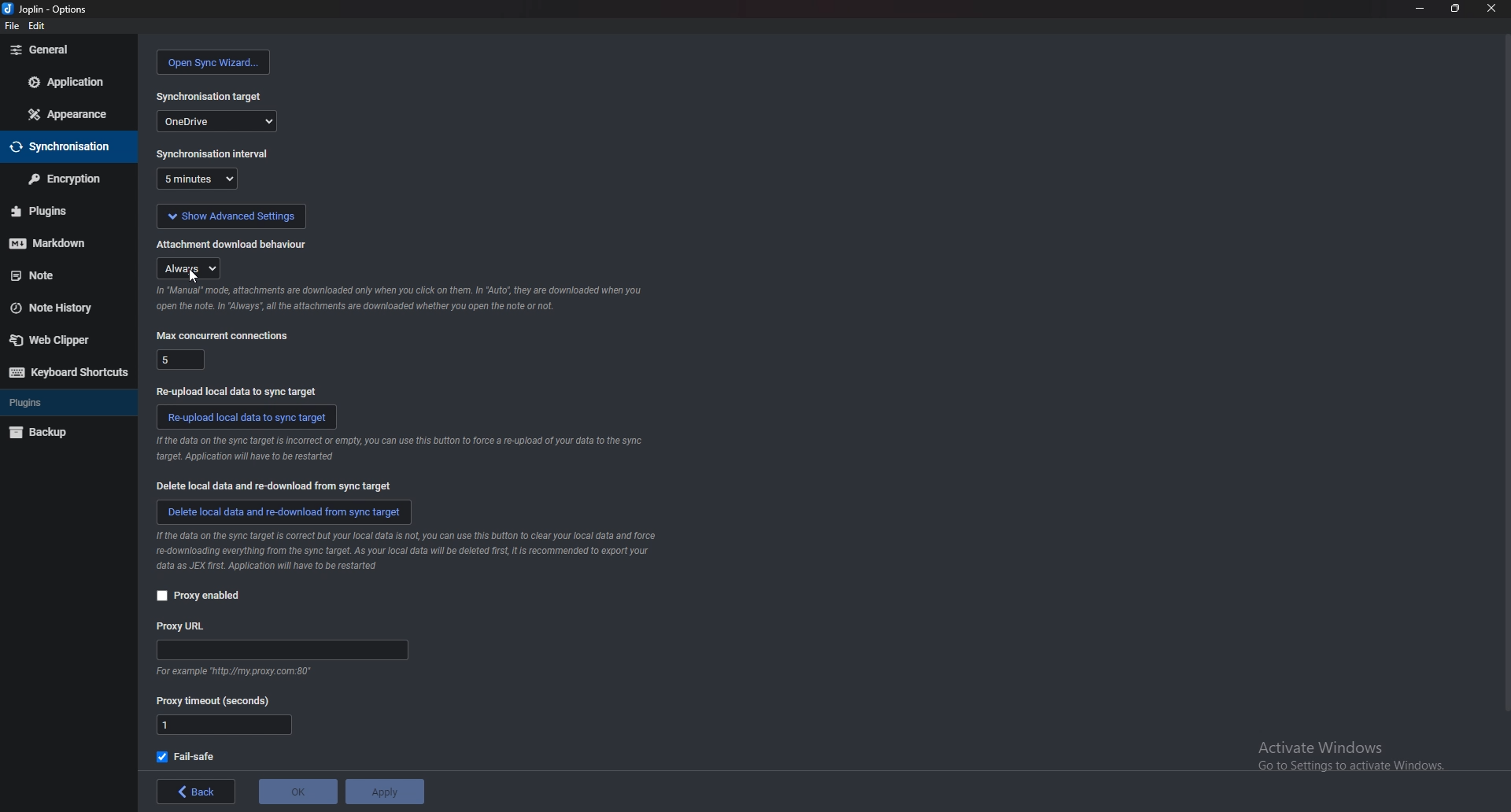  I want to click on cursor, so click(194, 278).